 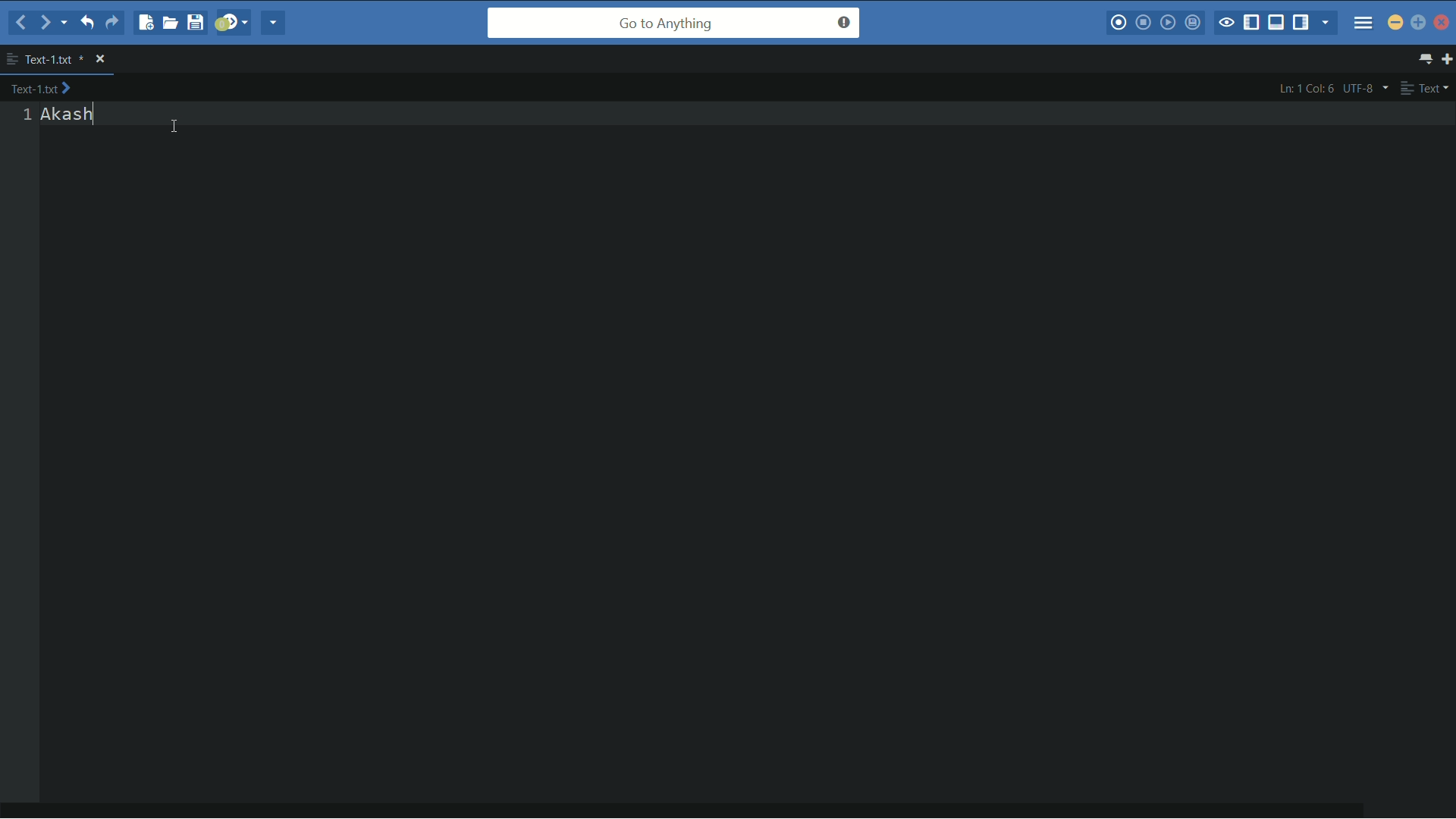 What do you see at coordinates (1326, 22) in the screenshot?
I see `show specific sidebar/tab` at bounding box center [1326, 22].